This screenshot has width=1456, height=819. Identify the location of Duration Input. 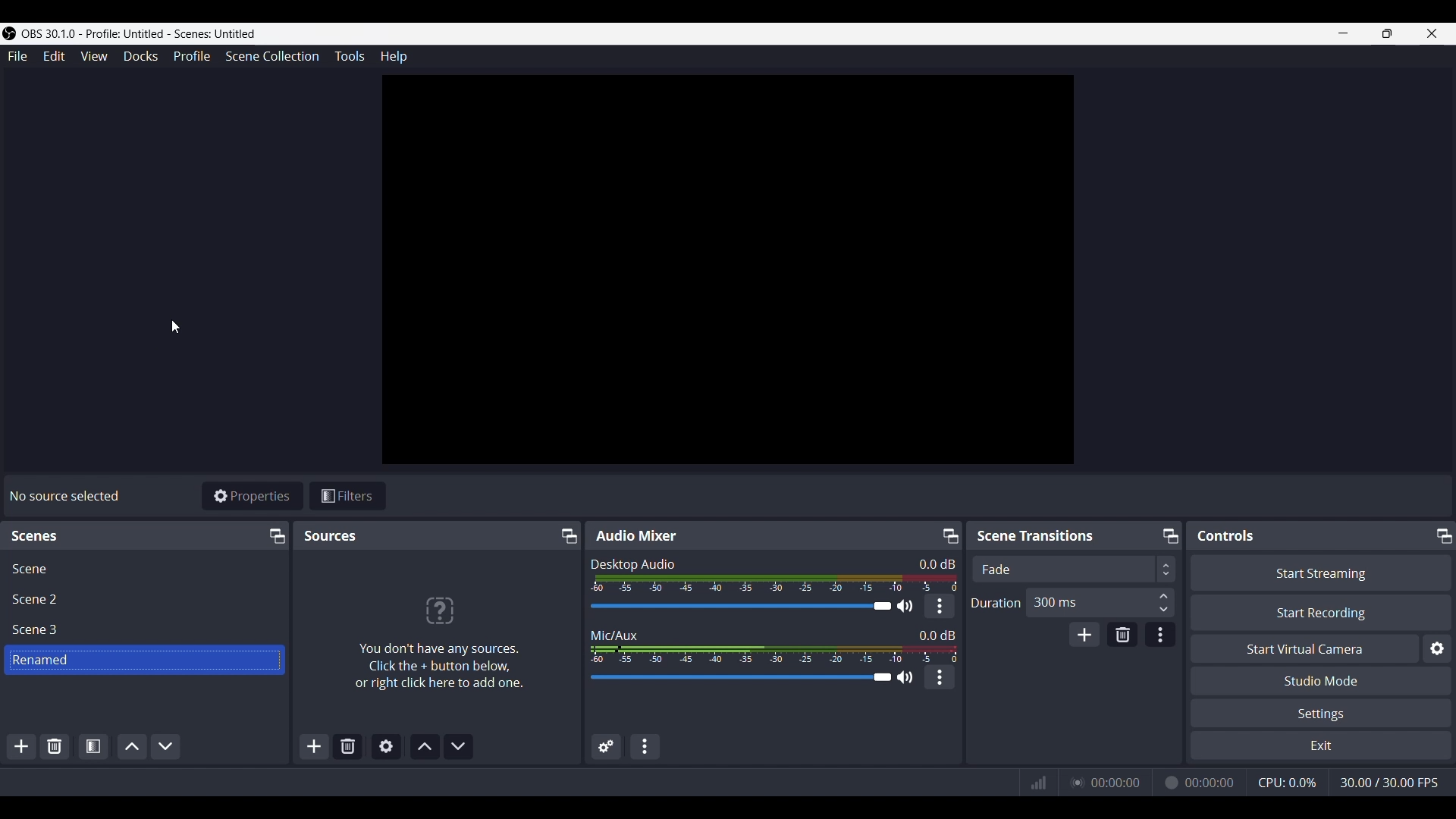
(1163, 602).